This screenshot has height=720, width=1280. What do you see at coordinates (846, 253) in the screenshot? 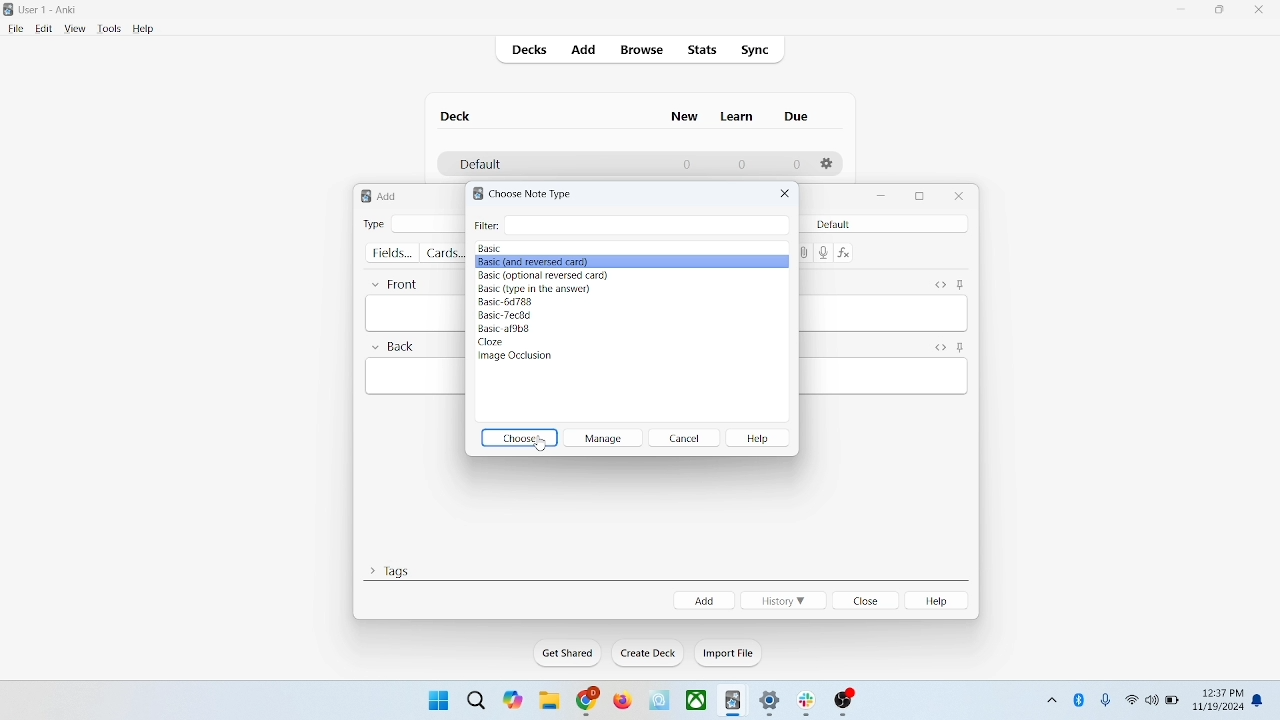
I see `function` at bounding box center [846, 253].